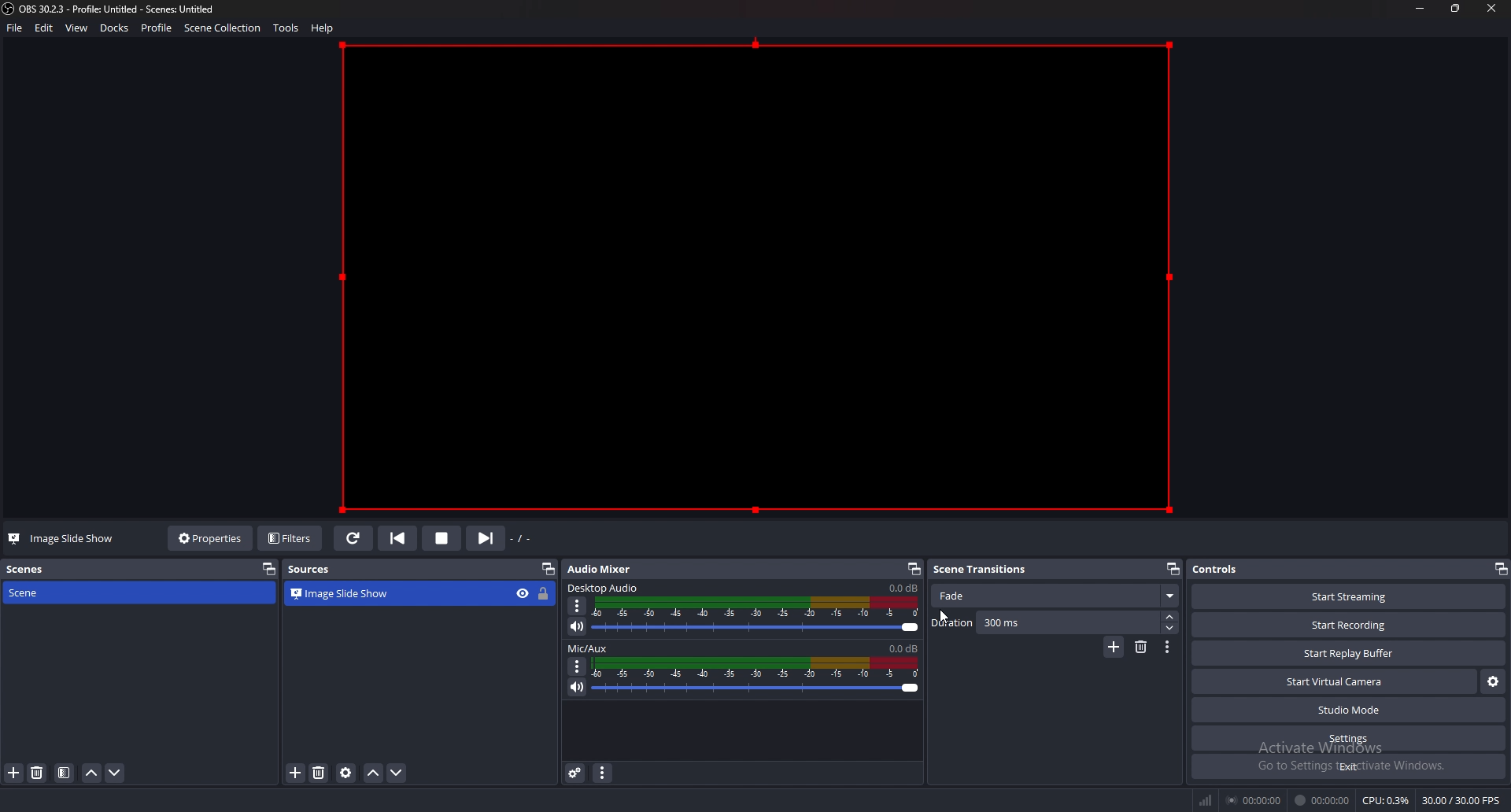  I want to click on resize, so click(1454, 8).